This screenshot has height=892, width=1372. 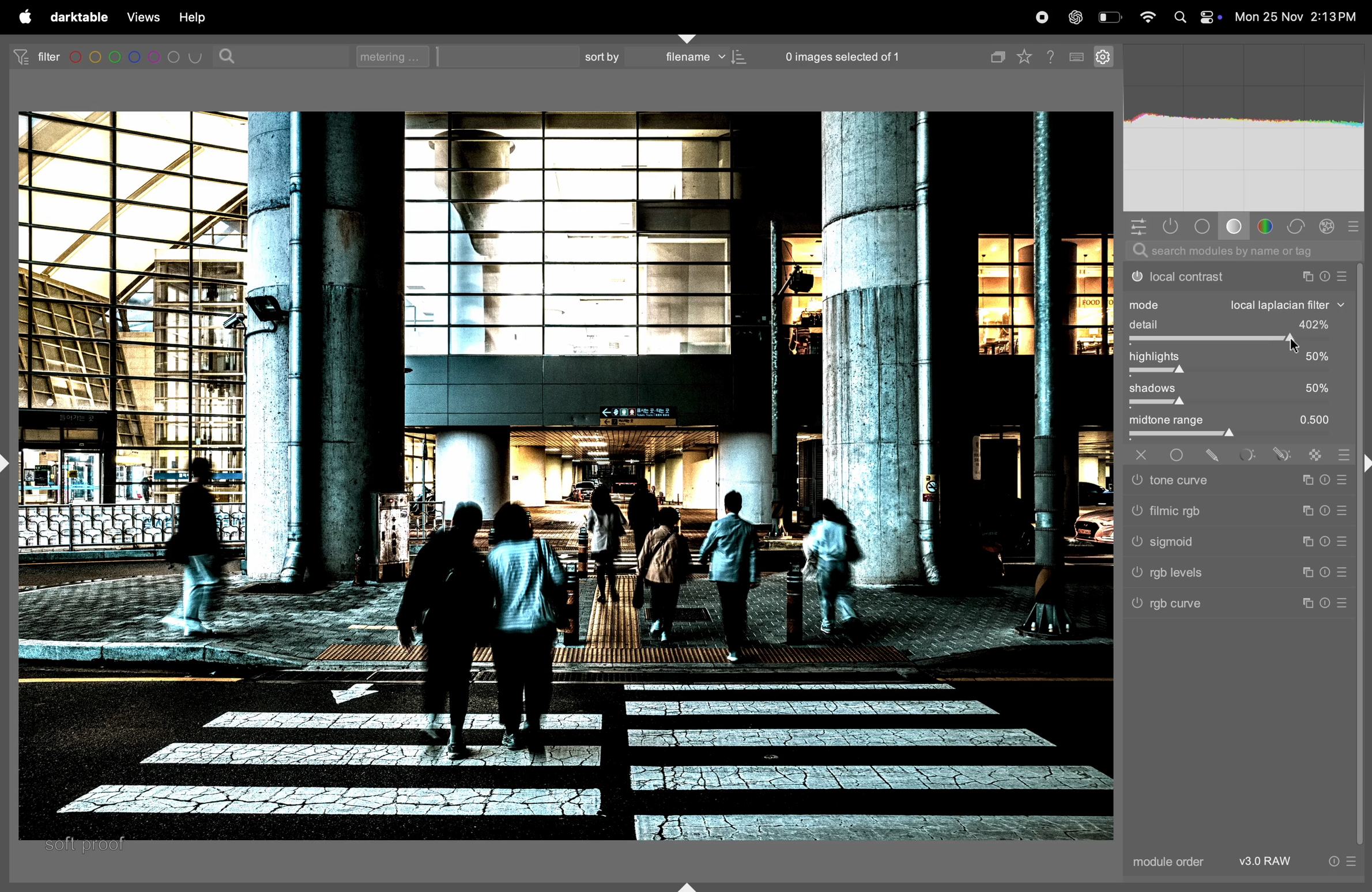 What do you see at coordinates (1239, 325) in the screenshot?
I see `detail` at bounding box center [1239, 325].